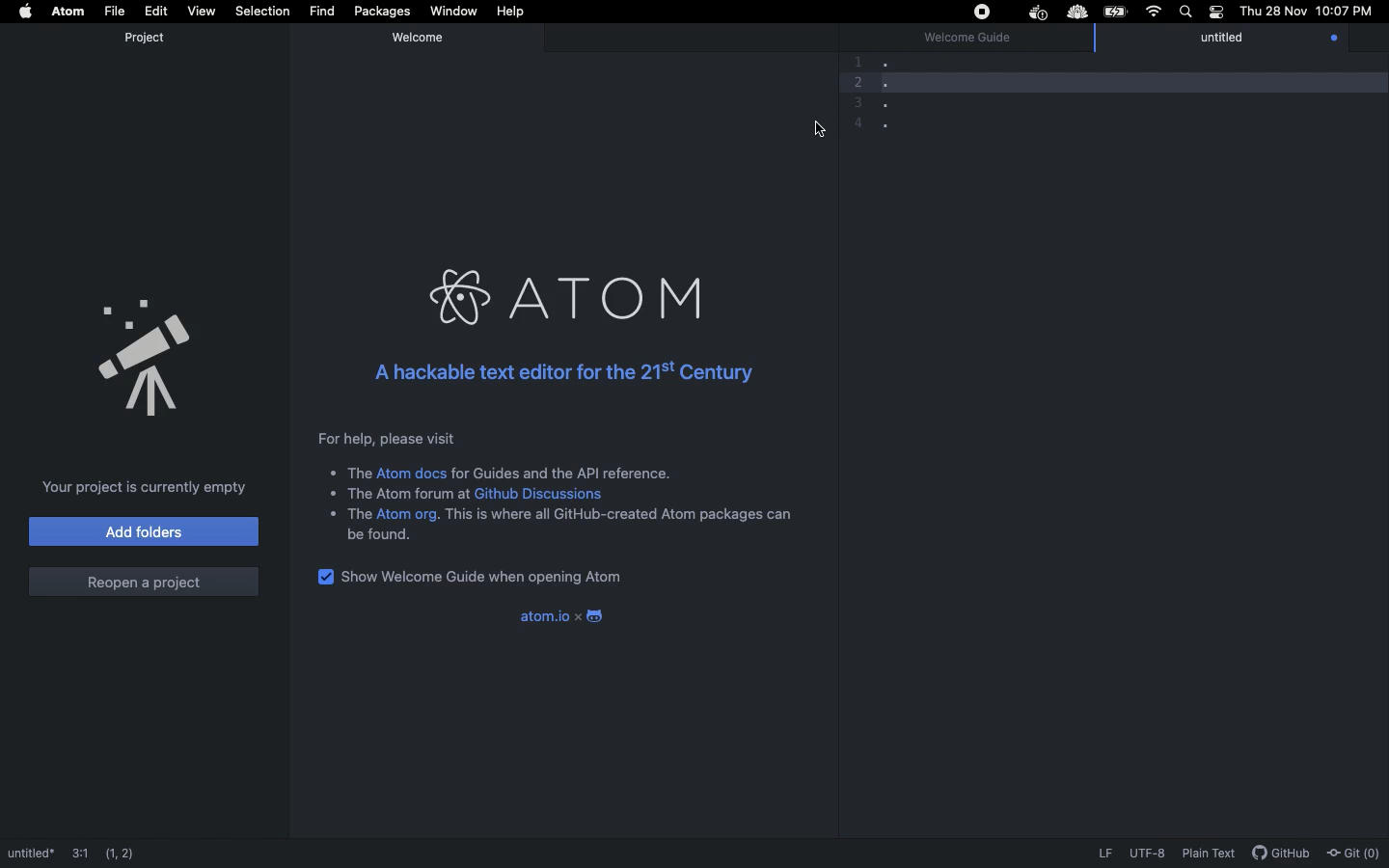 Image resolution: width=1389 pixels, height=868 pixels. I want to click on Docker, so click(1035, 14).